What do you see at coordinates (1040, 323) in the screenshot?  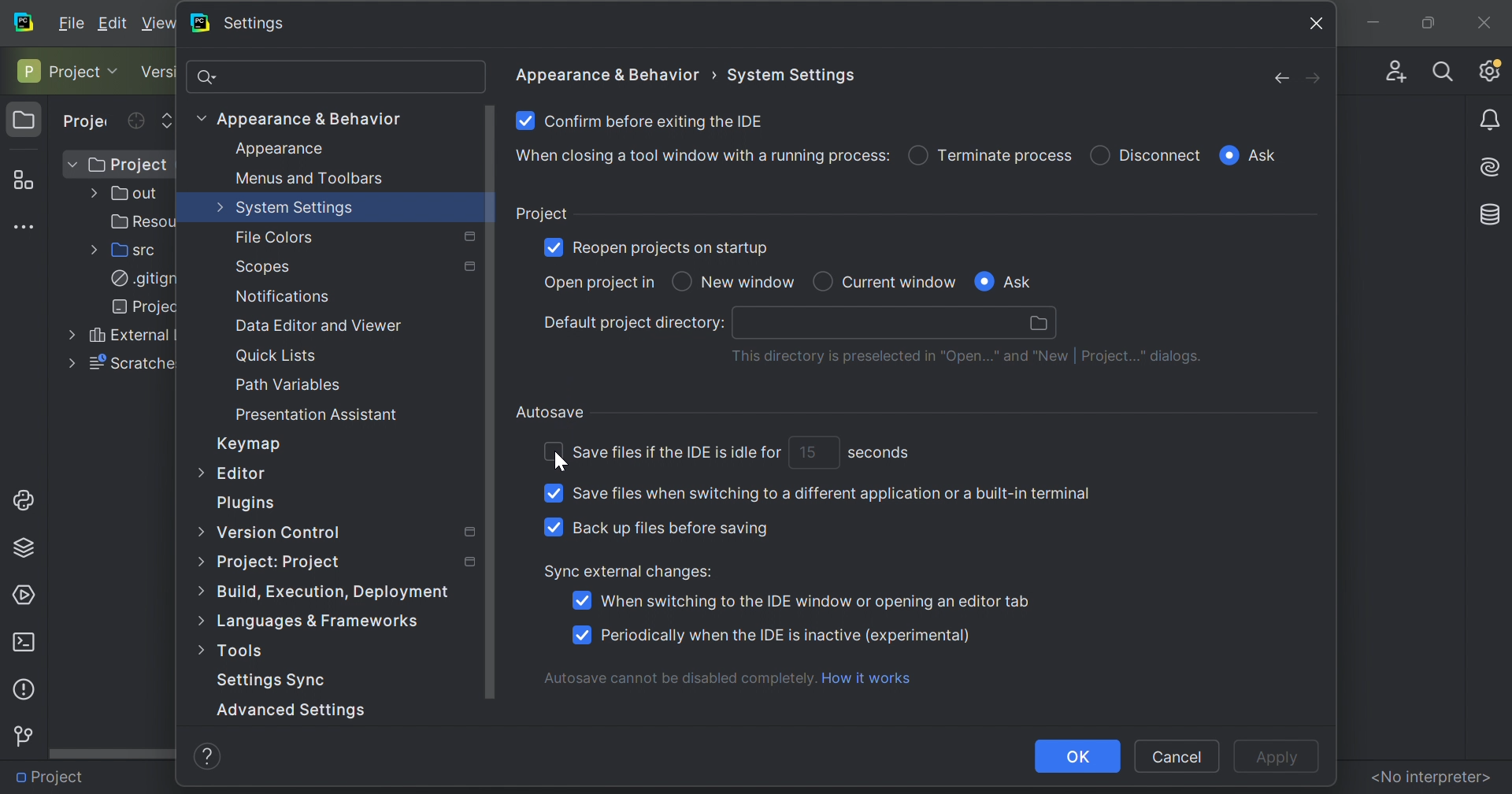 I see `Browse` at bounding box center [1040, 323].